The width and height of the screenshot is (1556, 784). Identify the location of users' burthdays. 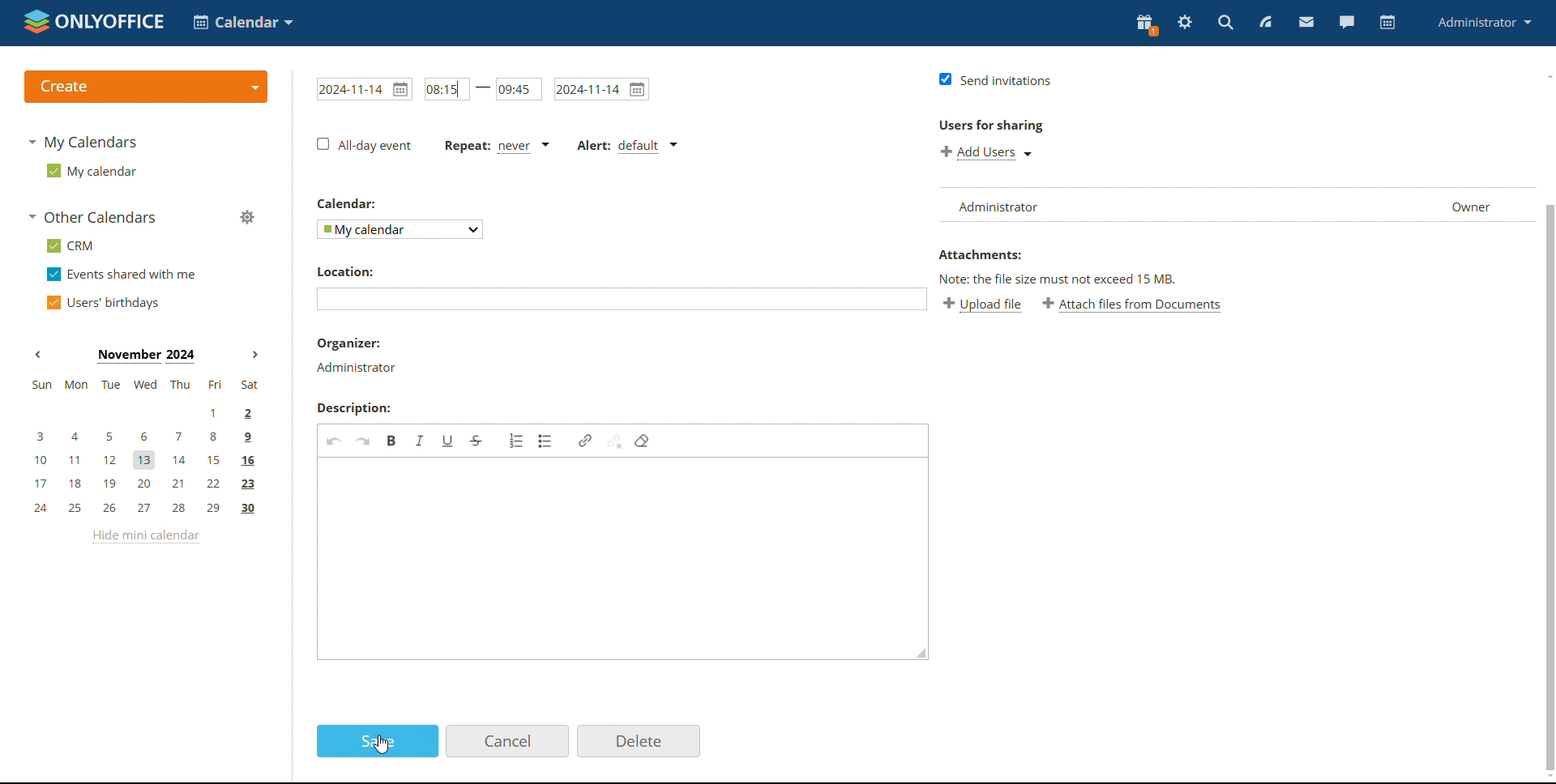
(106, 301).